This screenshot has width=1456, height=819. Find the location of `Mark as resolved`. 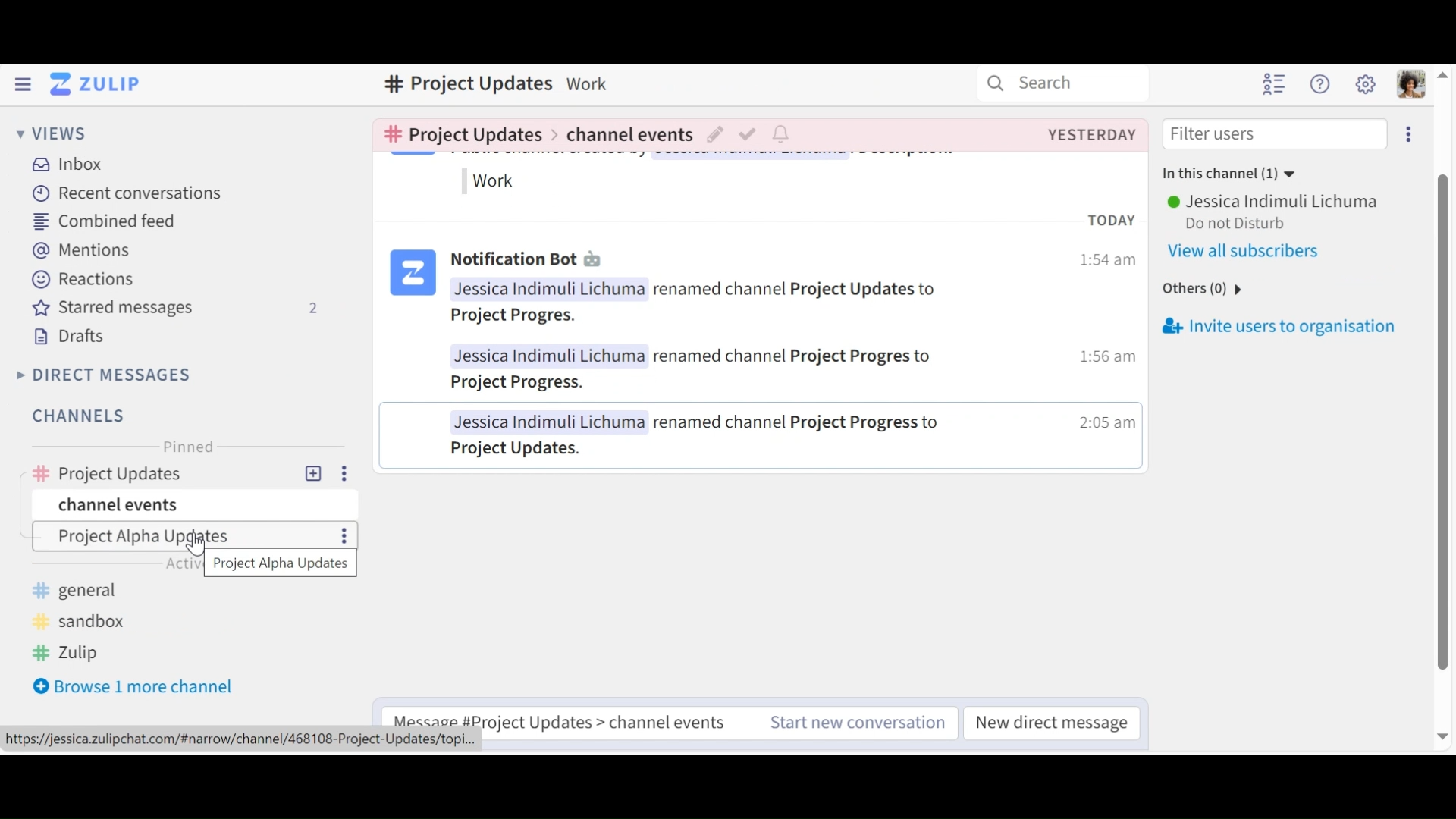

Mark as resolved is located at coordinates (750, 136).